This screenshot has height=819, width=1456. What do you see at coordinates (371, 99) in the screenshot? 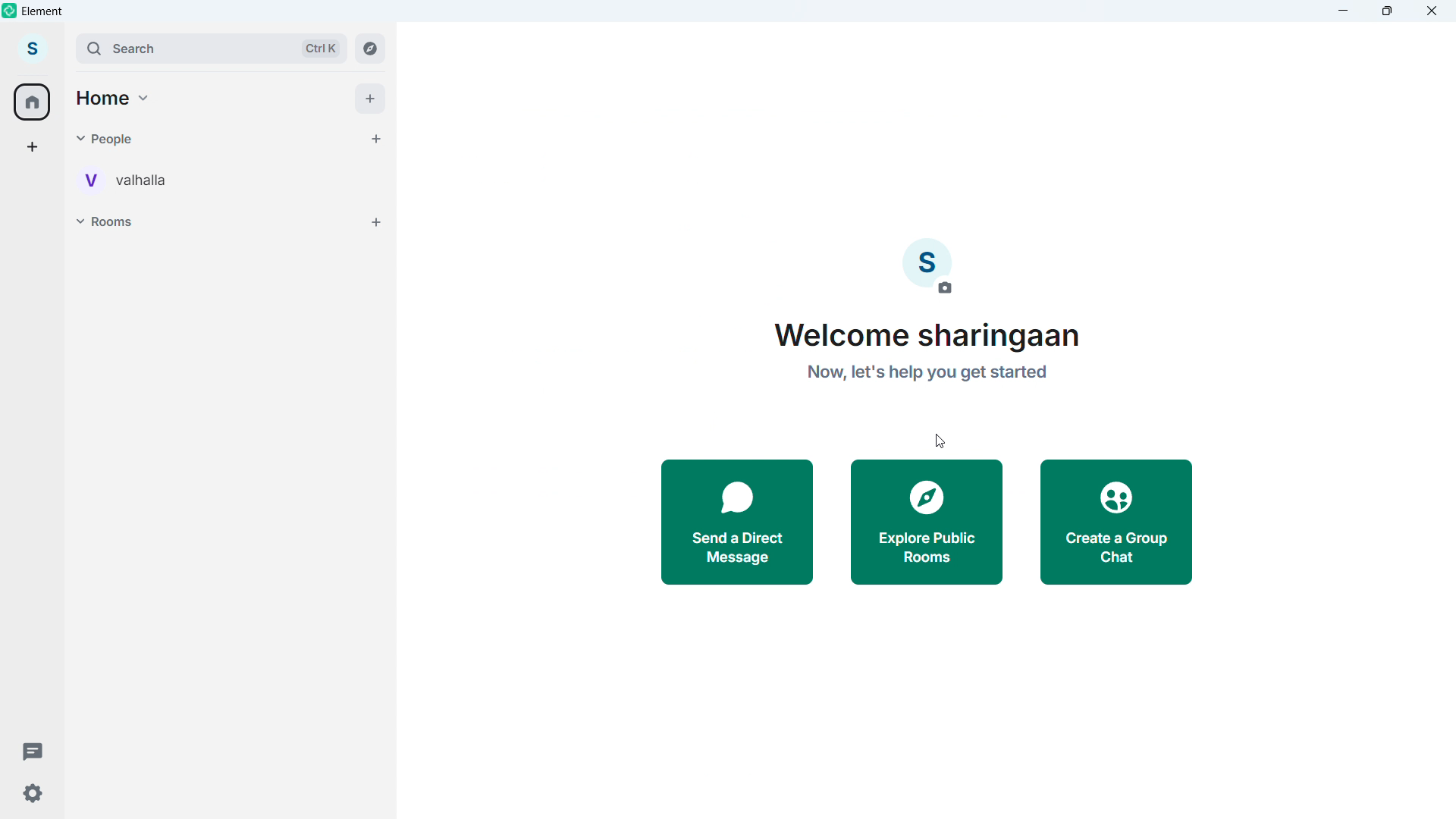
I see `add ` at bounding box center [371, 99].